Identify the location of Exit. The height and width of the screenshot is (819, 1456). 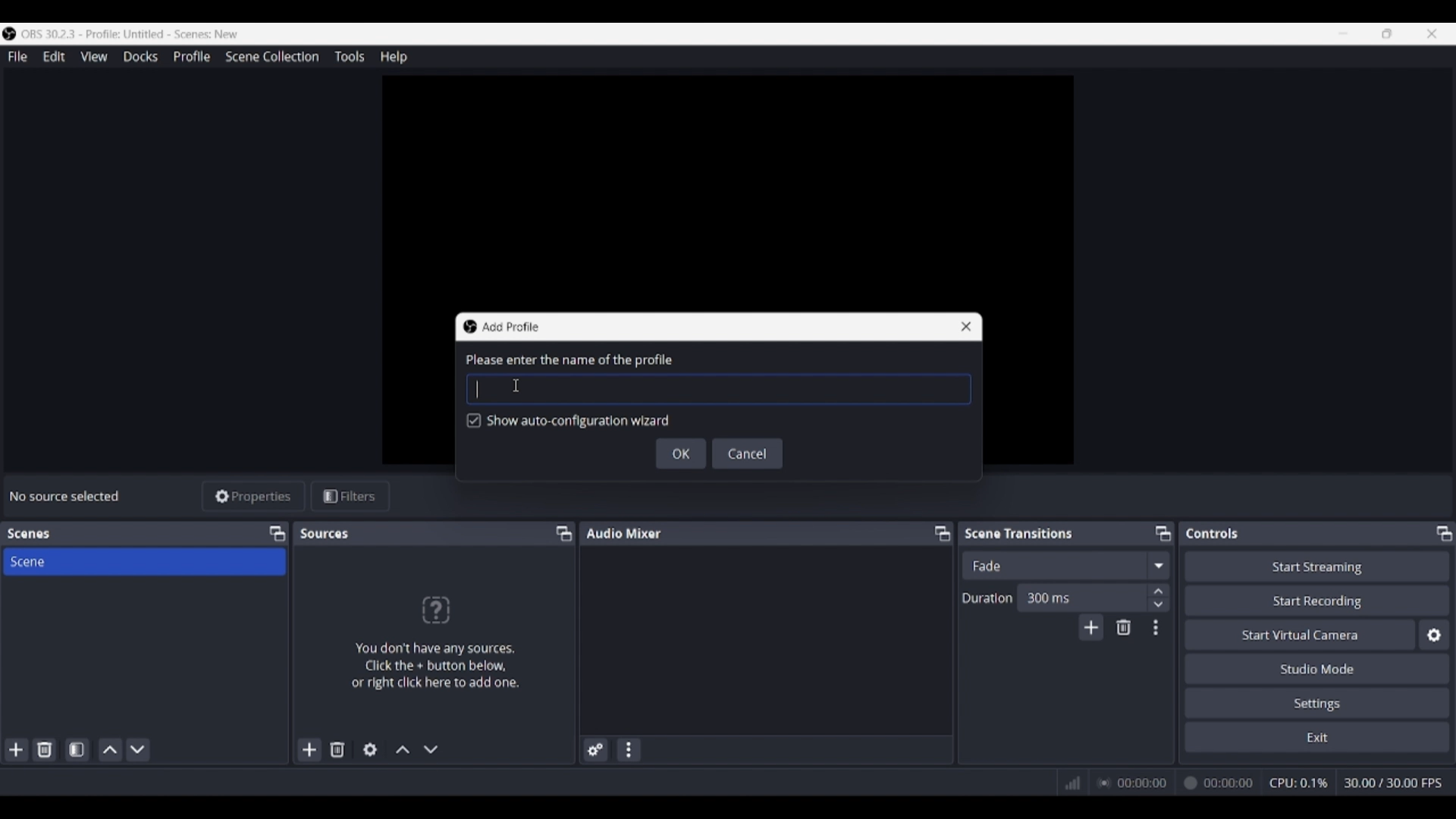
(1317, 736).